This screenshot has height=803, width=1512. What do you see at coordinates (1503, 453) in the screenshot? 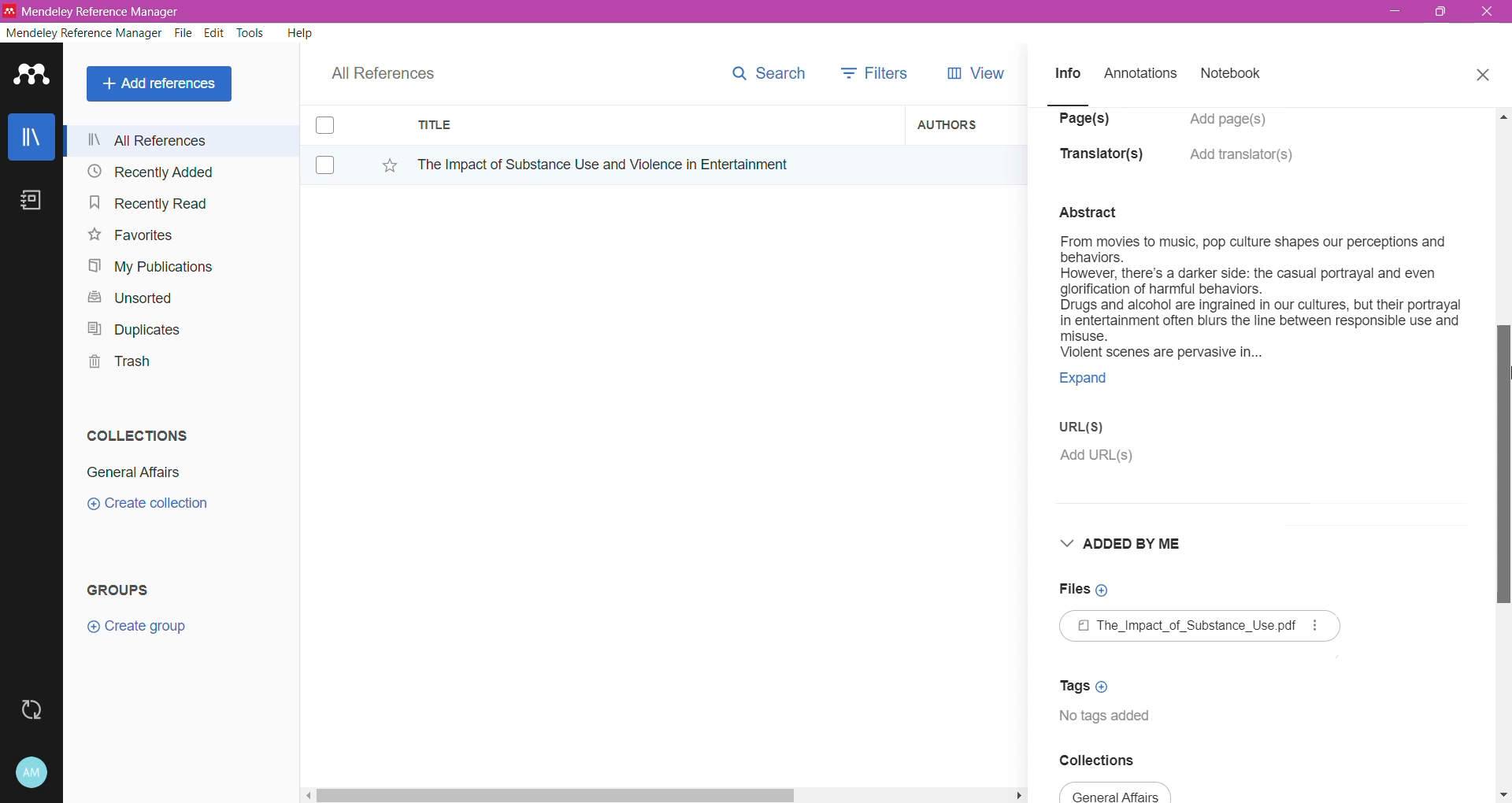
I see `Vertical Scroll Bar` at bounding box center [1503, 453].